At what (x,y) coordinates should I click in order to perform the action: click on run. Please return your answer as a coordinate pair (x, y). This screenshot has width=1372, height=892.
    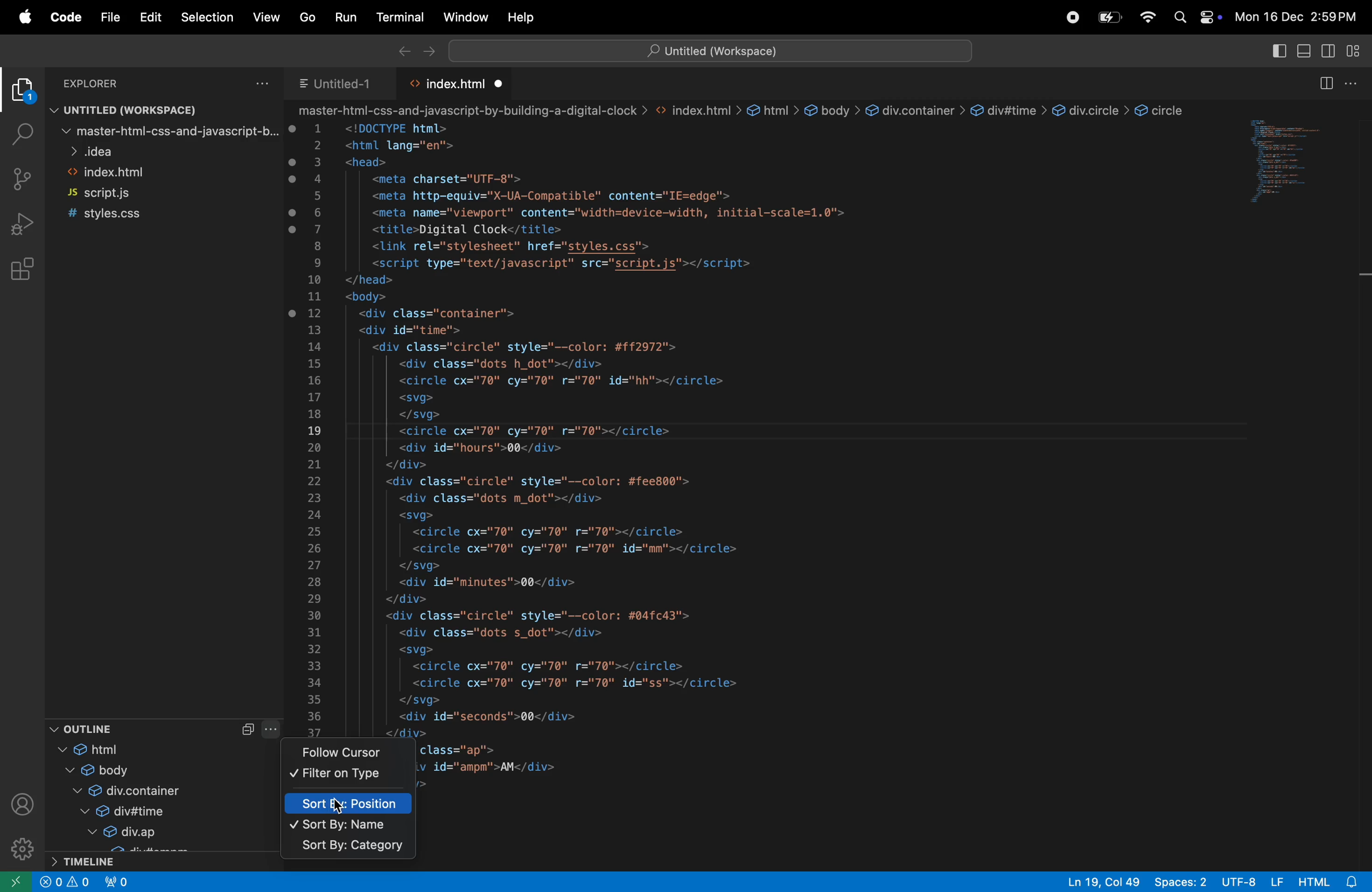
    Looking at the image, I should click on (342, 16).